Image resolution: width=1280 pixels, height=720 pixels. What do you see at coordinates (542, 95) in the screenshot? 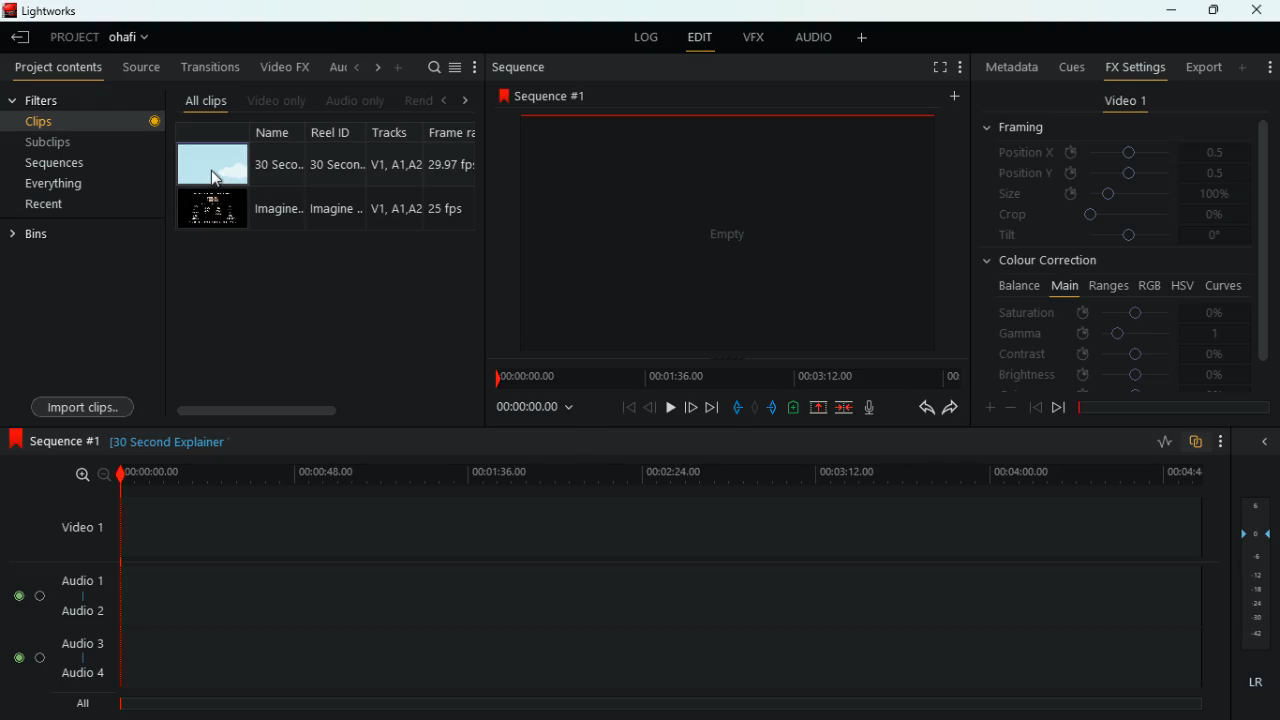
I see `sequence` at bounding box center [542, 95].